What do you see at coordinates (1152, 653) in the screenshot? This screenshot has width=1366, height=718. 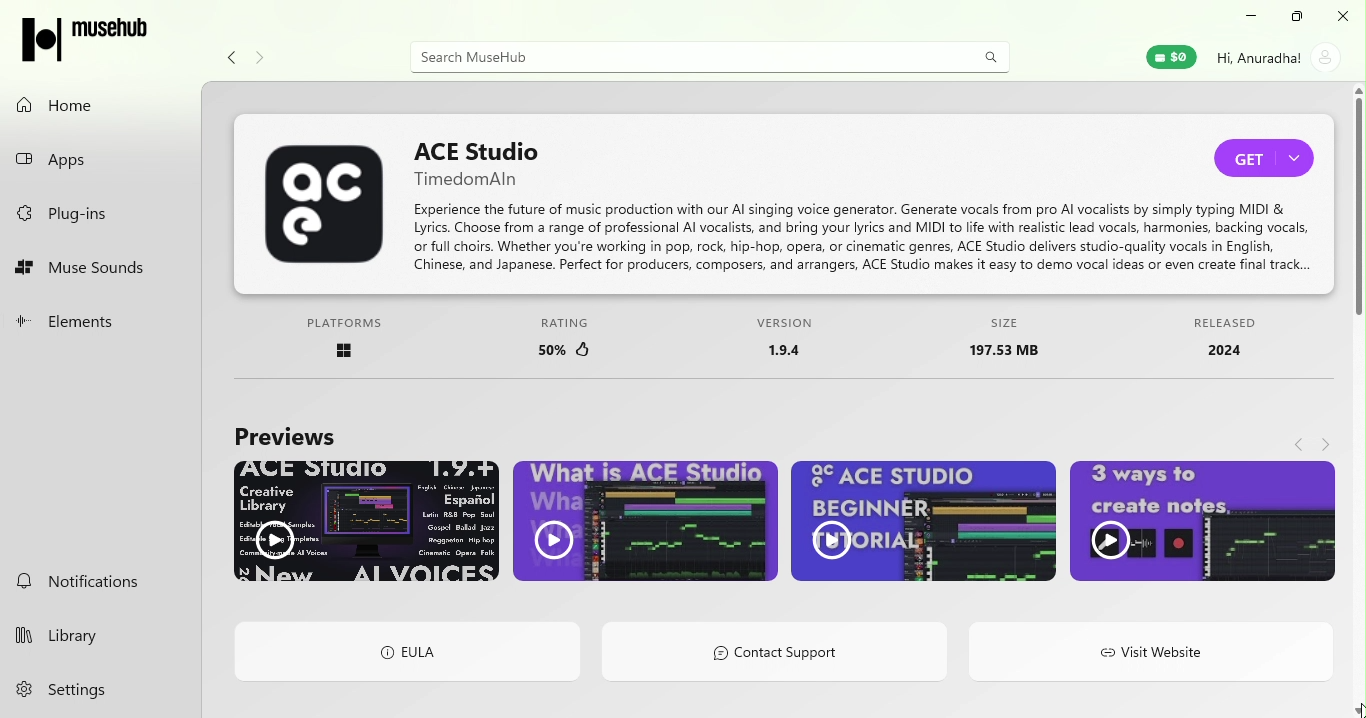 I see `Visit website` at bounding box center [1152, 653].